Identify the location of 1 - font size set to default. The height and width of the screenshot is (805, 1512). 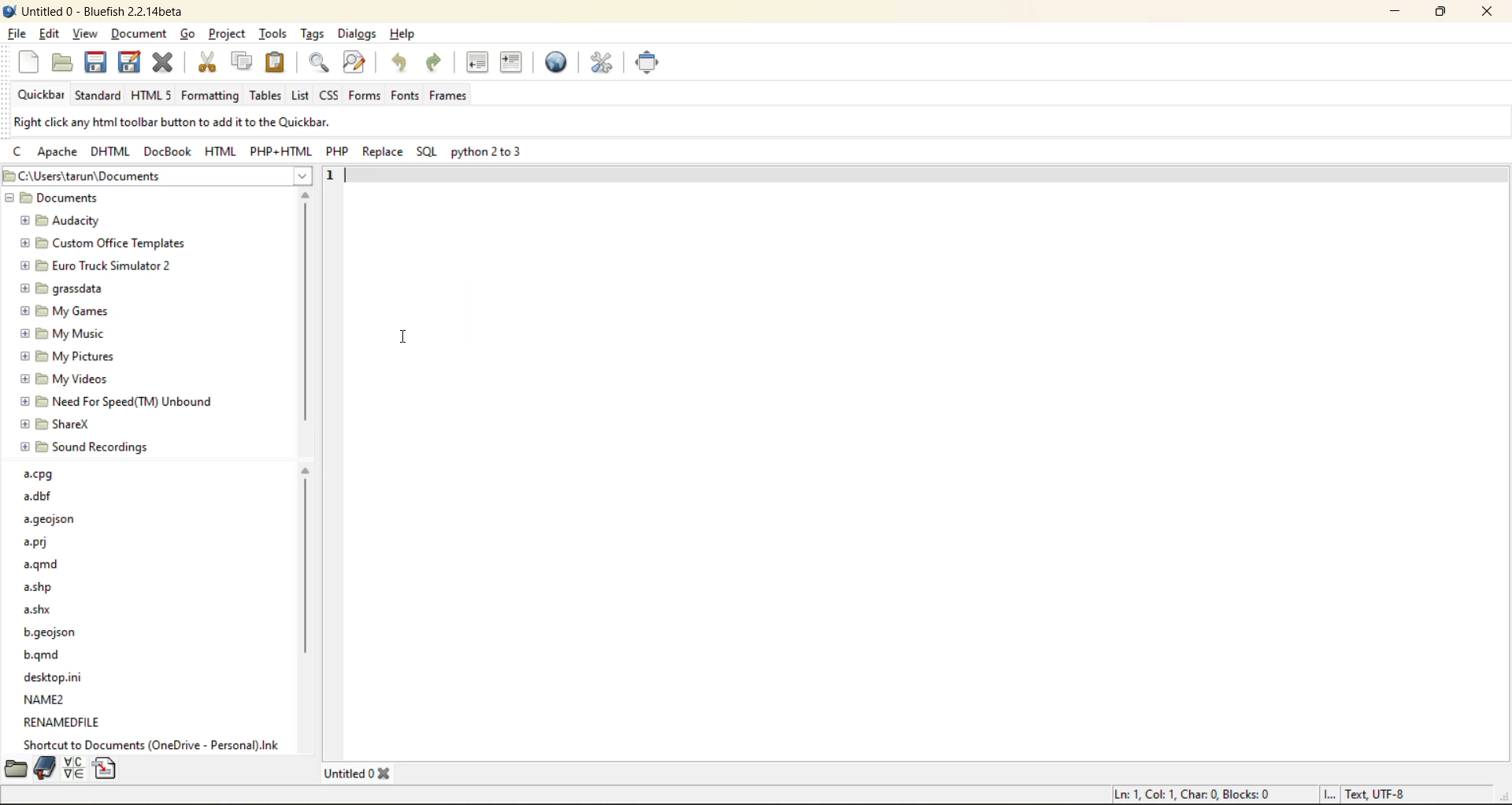
(332, 176).